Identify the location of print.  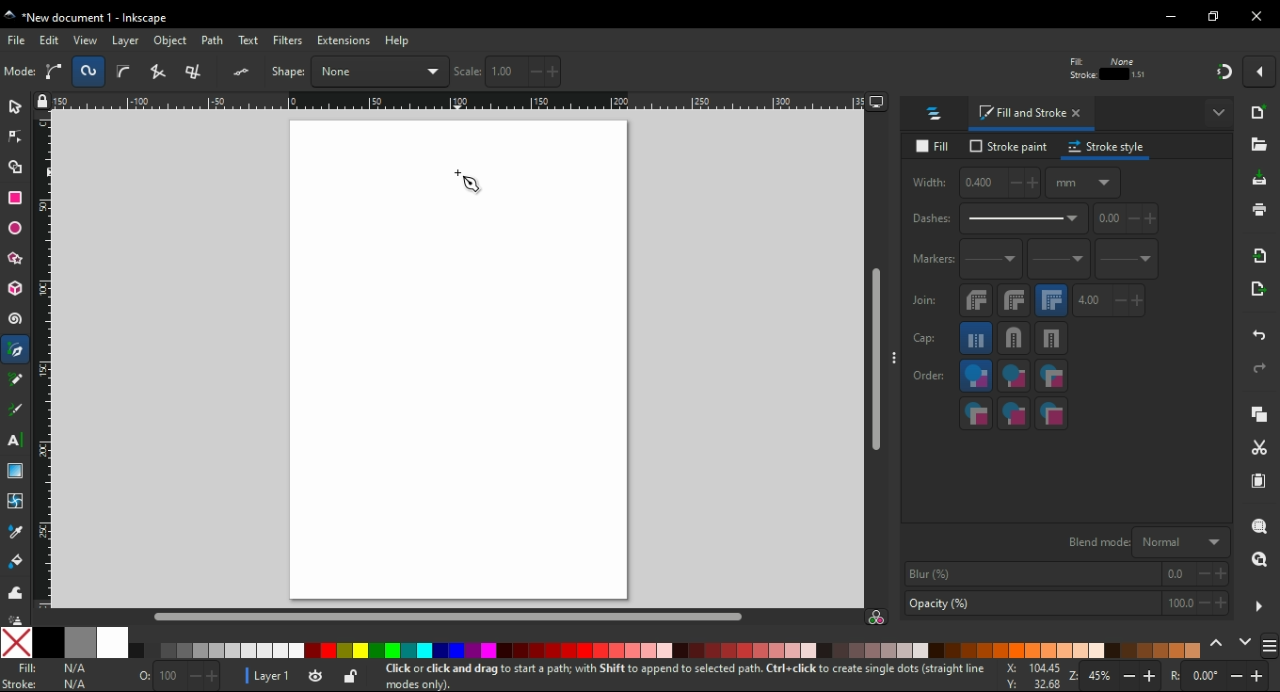
(1258, 209).